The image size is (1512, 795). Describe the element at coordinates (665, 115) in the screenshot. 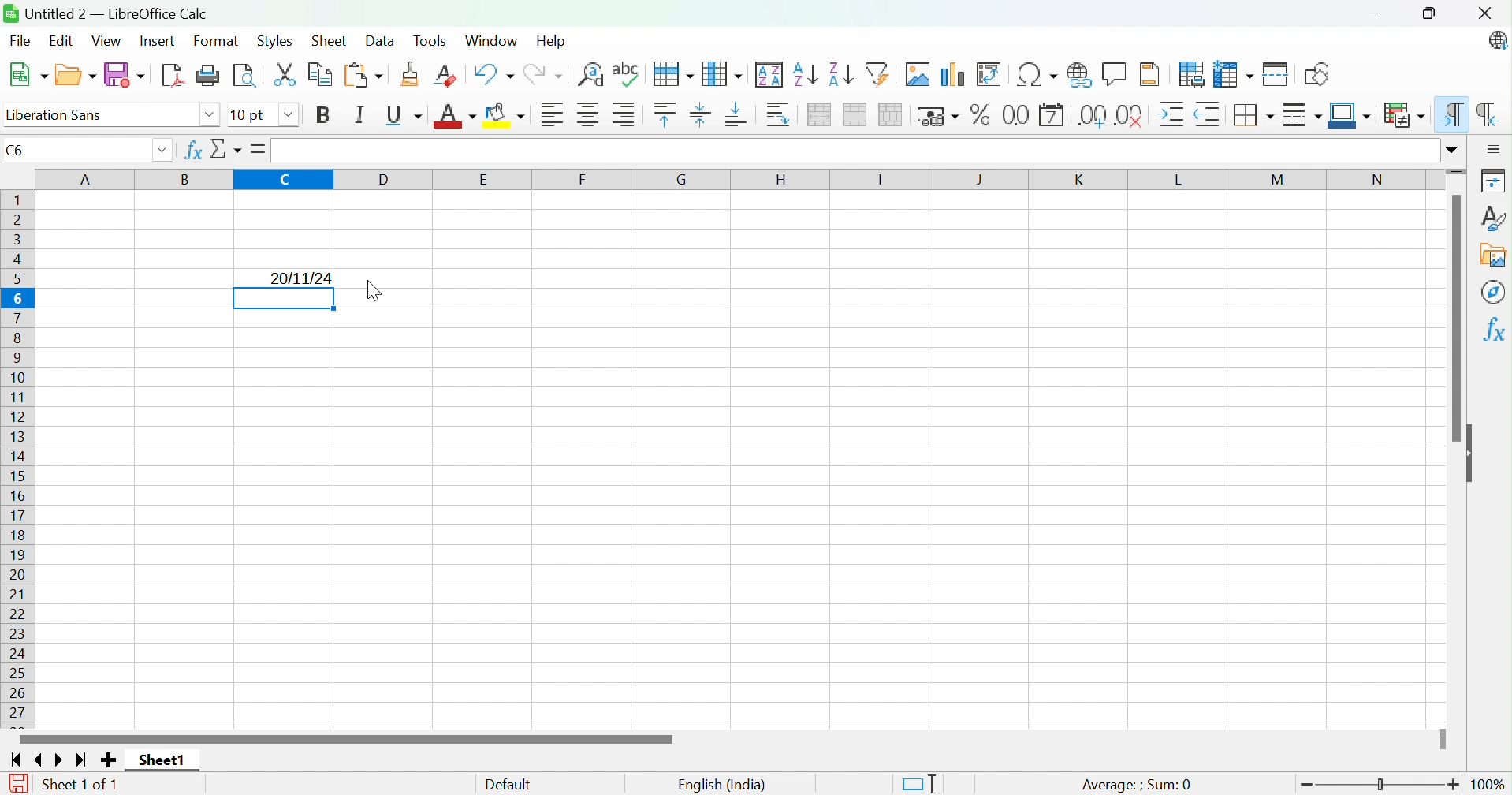

I see `Align top` at that location.